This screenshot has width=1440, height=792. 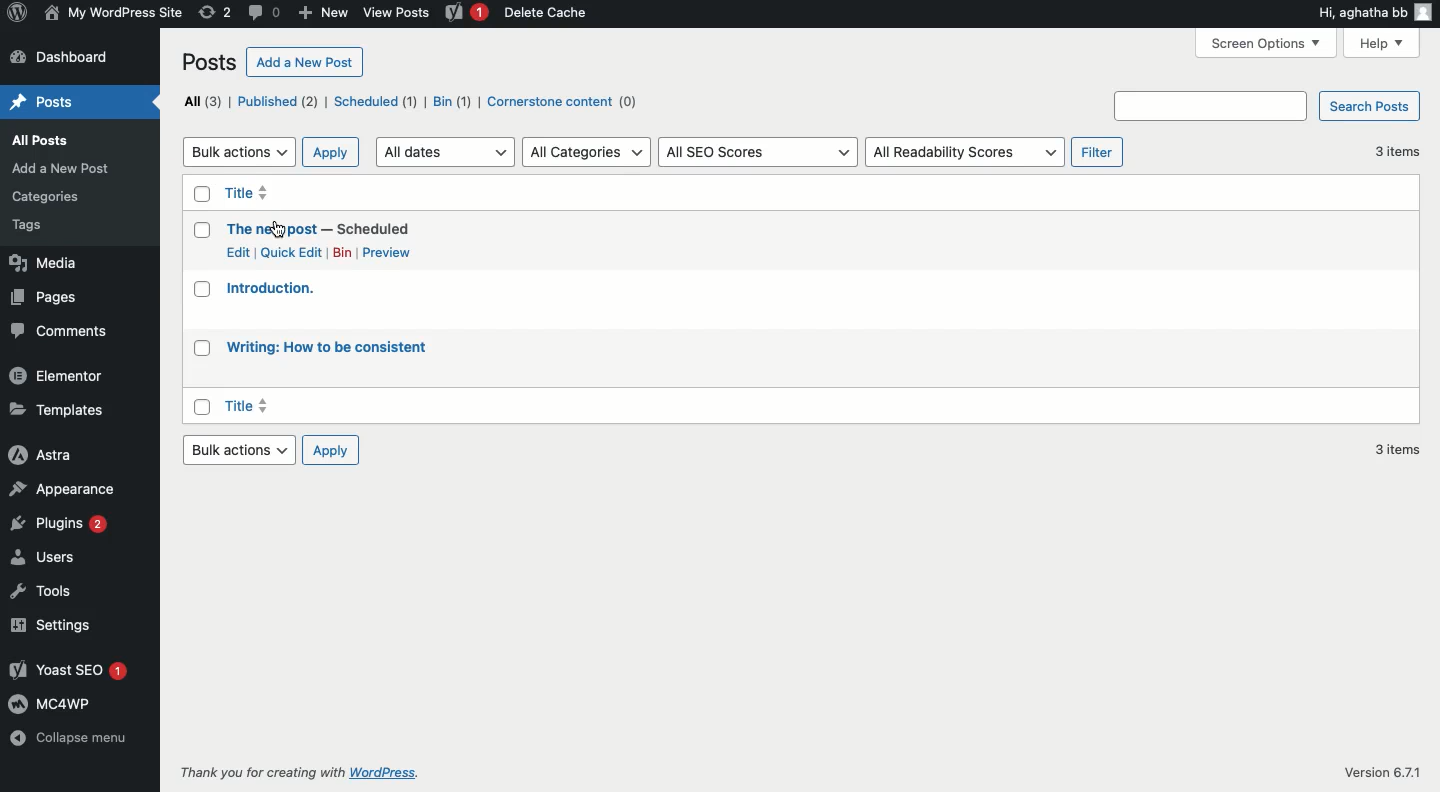 I want to click on Apply, so click(x=331, y=450).